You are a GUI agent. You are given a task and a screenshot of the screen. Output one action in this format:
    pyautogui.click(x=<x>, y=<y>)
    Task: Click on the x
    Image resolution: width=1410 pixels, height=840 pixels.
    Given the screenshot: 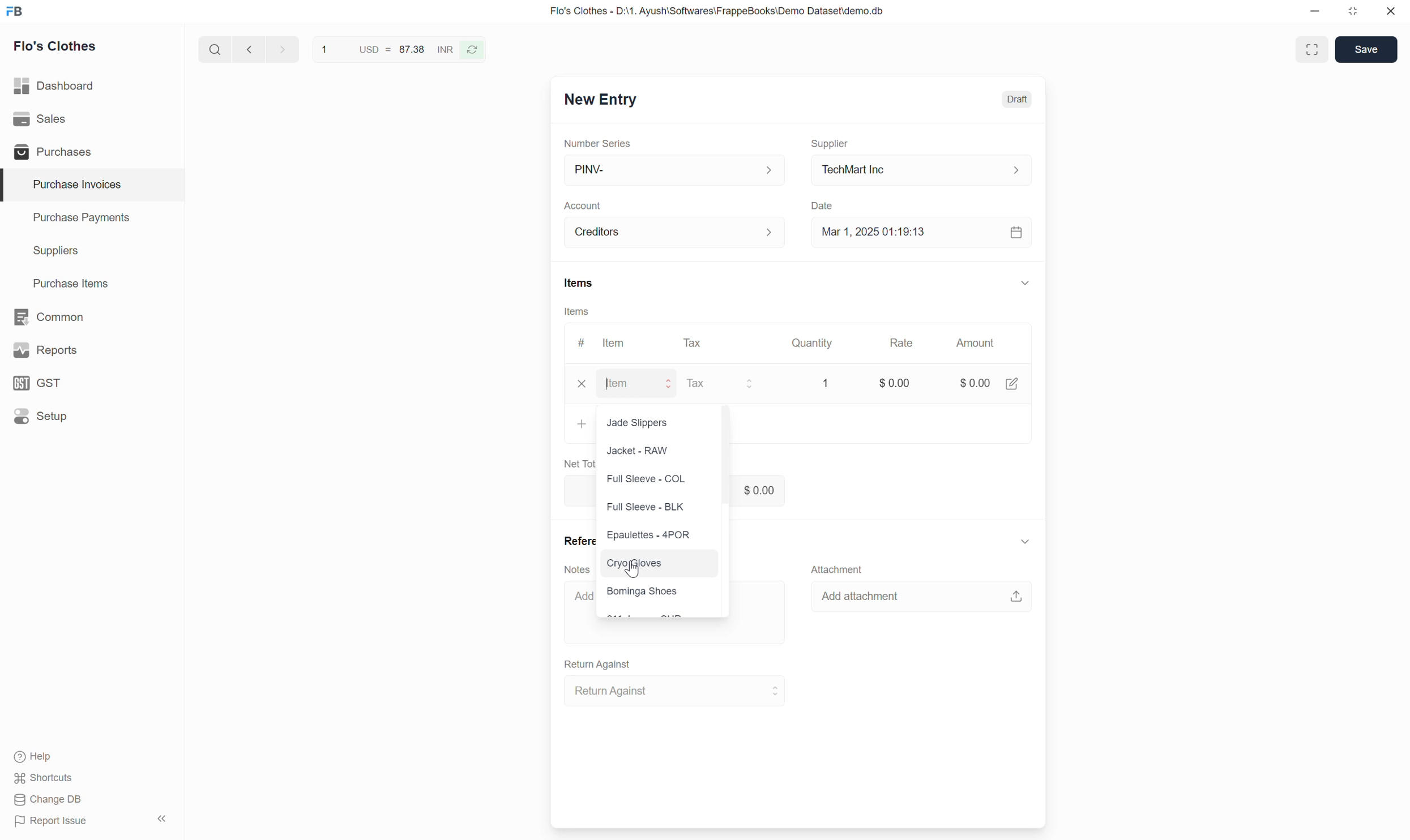 What is the action you would take?
    pyautogui.click(x=582, y=385)
    